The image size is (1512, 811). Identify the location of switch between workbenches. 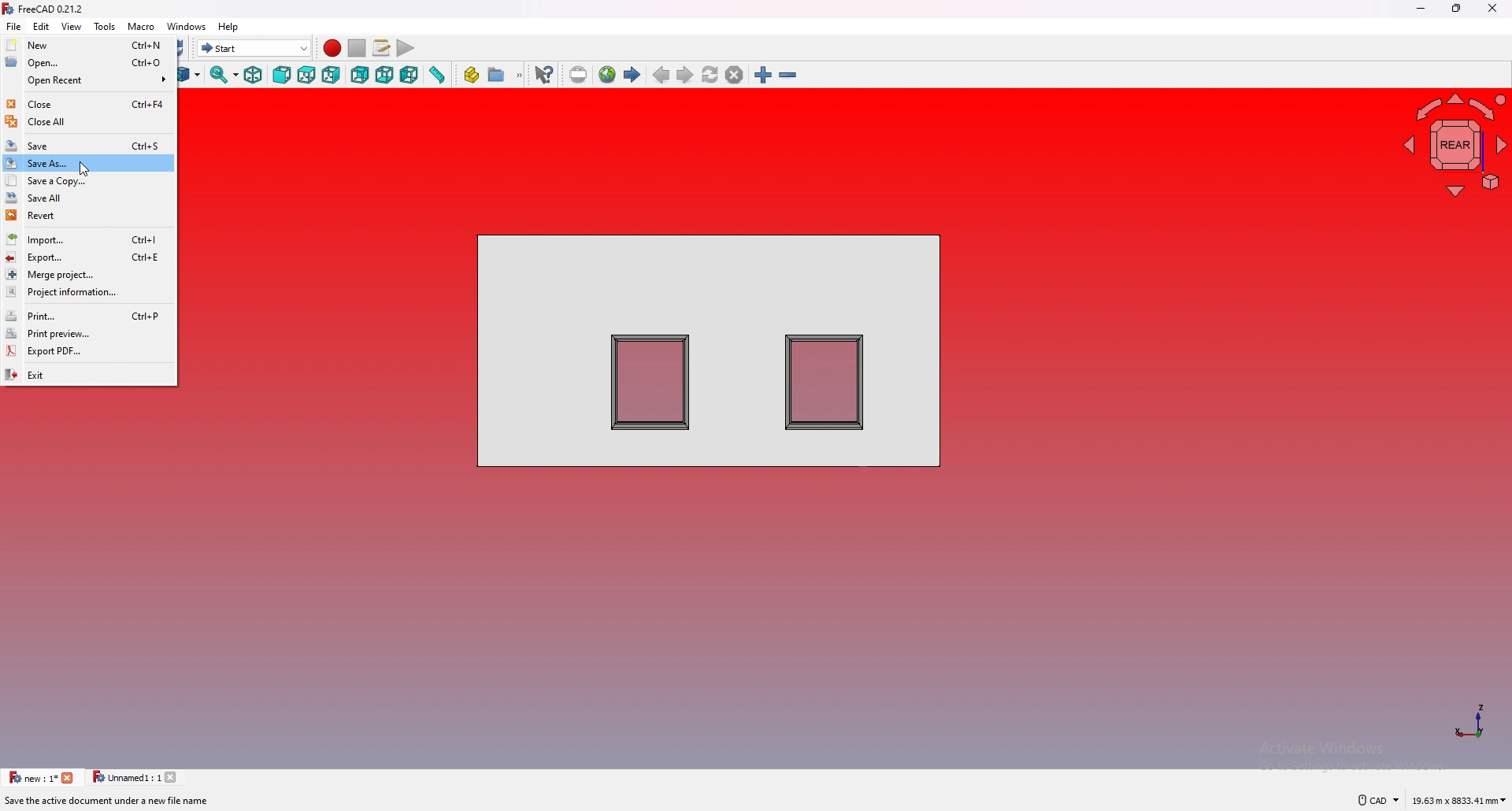
(254, 47).